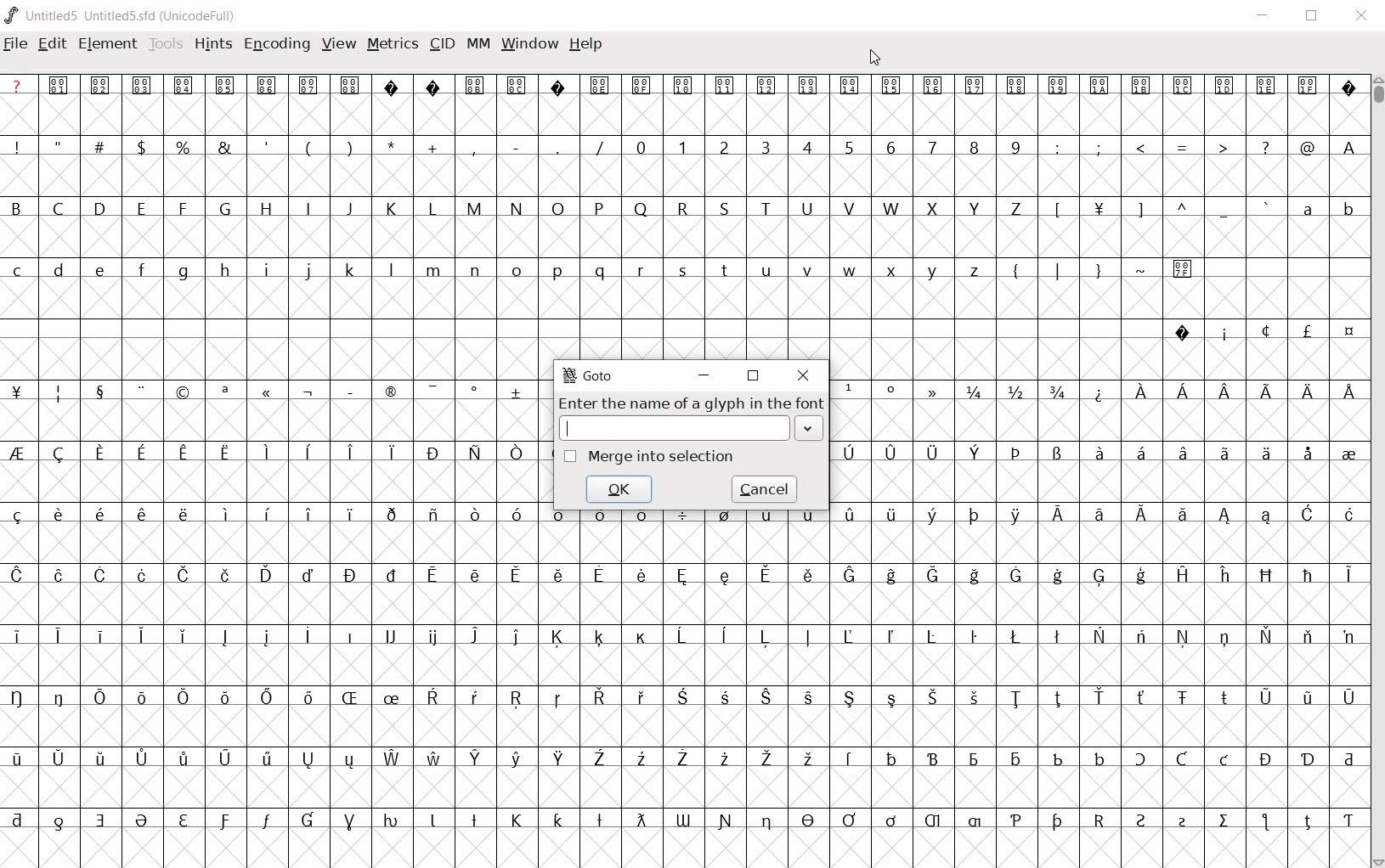 This screenshot has width=1385, height=868. Describe the element at coordinates (140, 208) in the screenshot. I see `E` at that location.